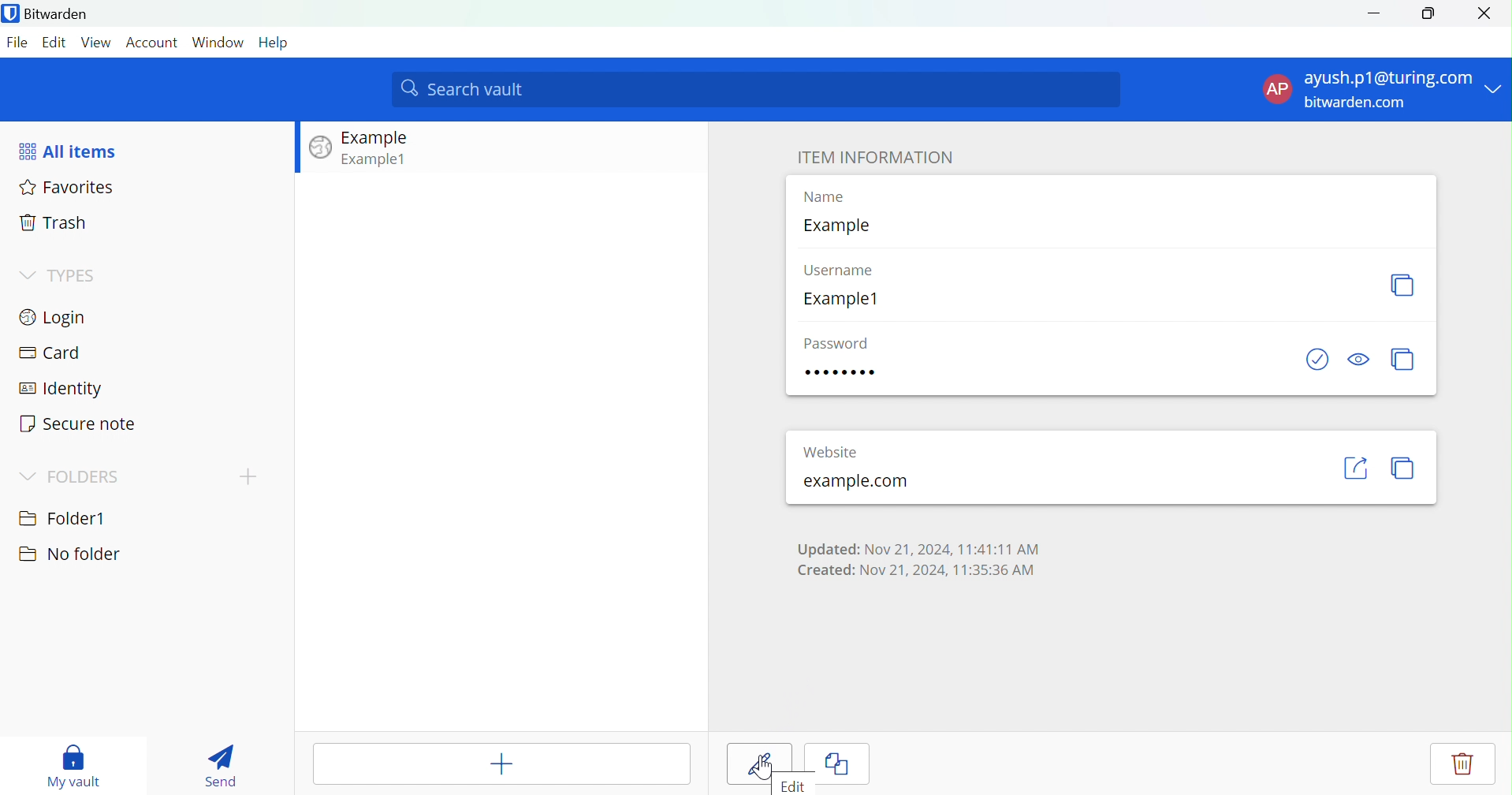  What do you see at coordinates (50, 15) in the screenshot?
I see `Bitwarden` at bounding box center [50, 15].